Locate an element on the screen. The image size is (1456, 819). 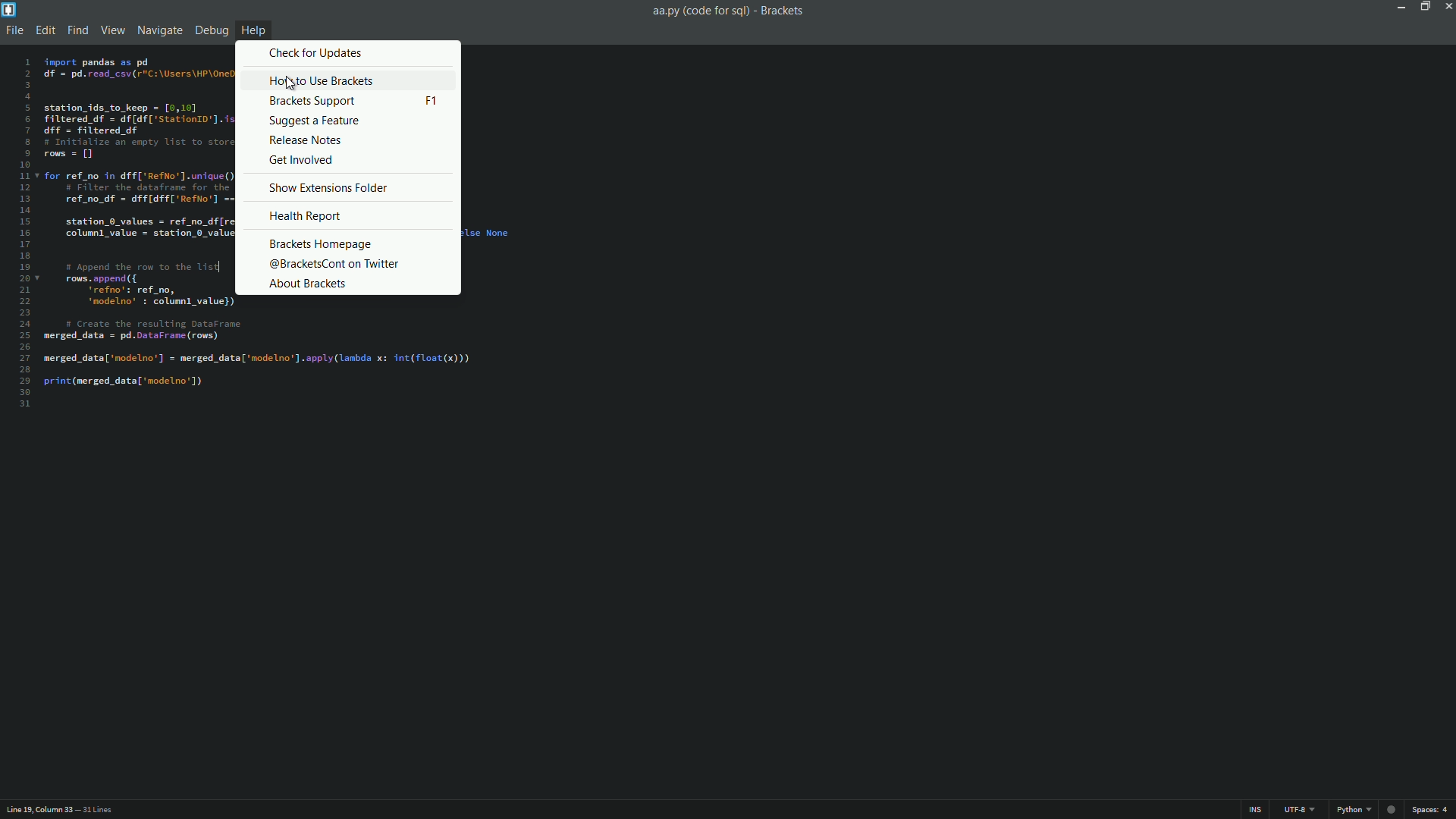
ins is located at coordinates (1257, 808).